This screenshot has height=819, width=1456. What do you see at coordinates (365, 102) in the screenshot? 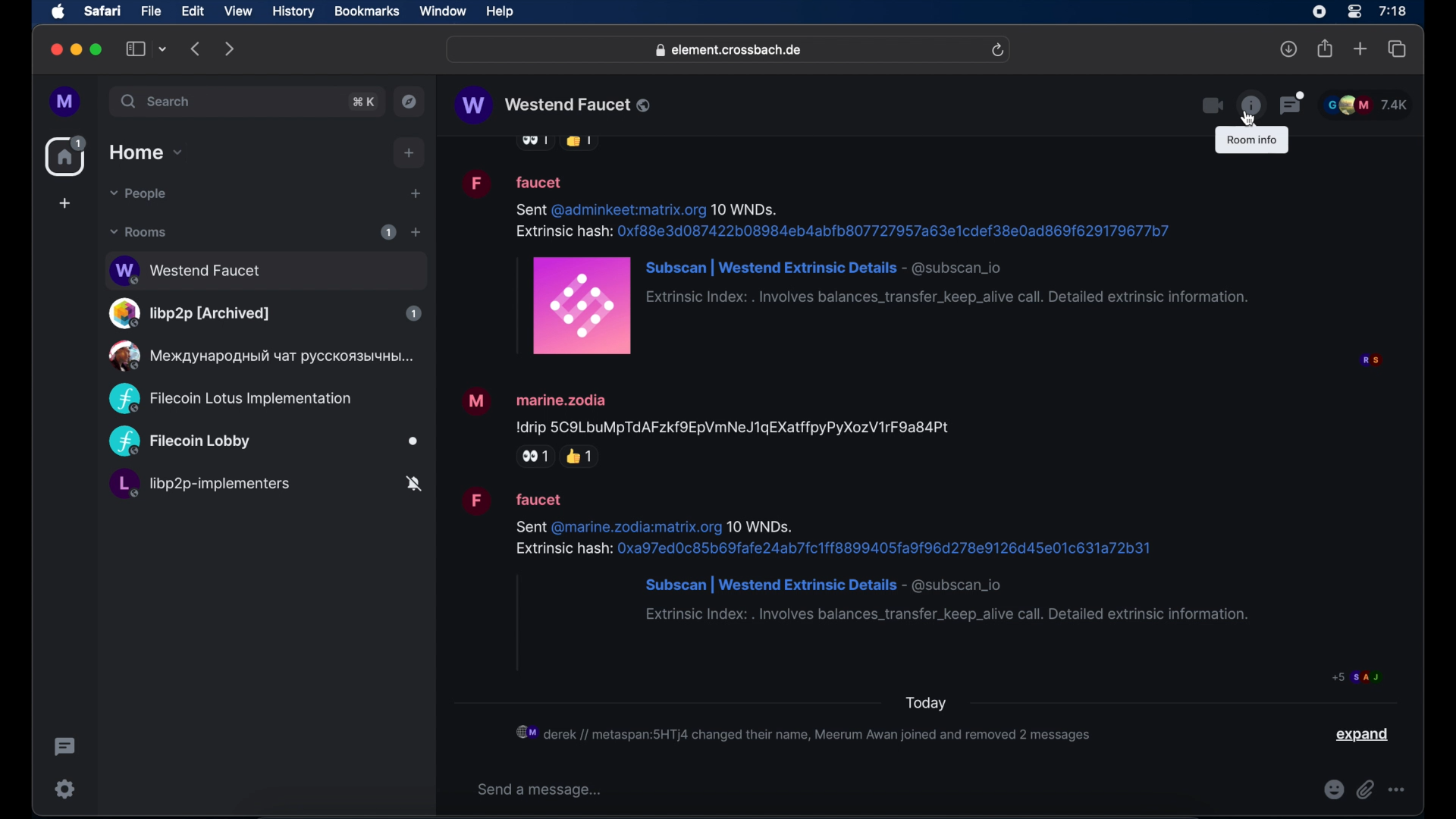
I see `search shortcut` at bounding box center [365, 102].